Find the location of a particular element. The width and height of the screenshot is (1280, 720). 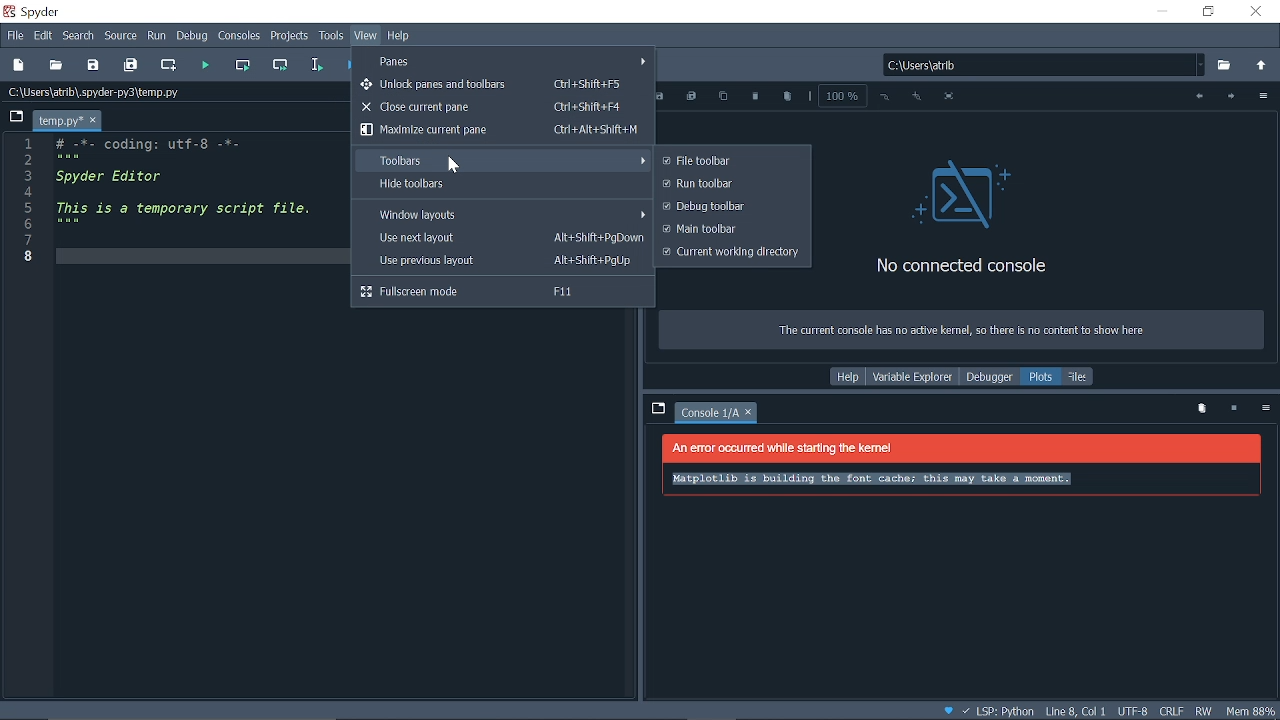

Main toolbar is located at coordinates (730, 229).